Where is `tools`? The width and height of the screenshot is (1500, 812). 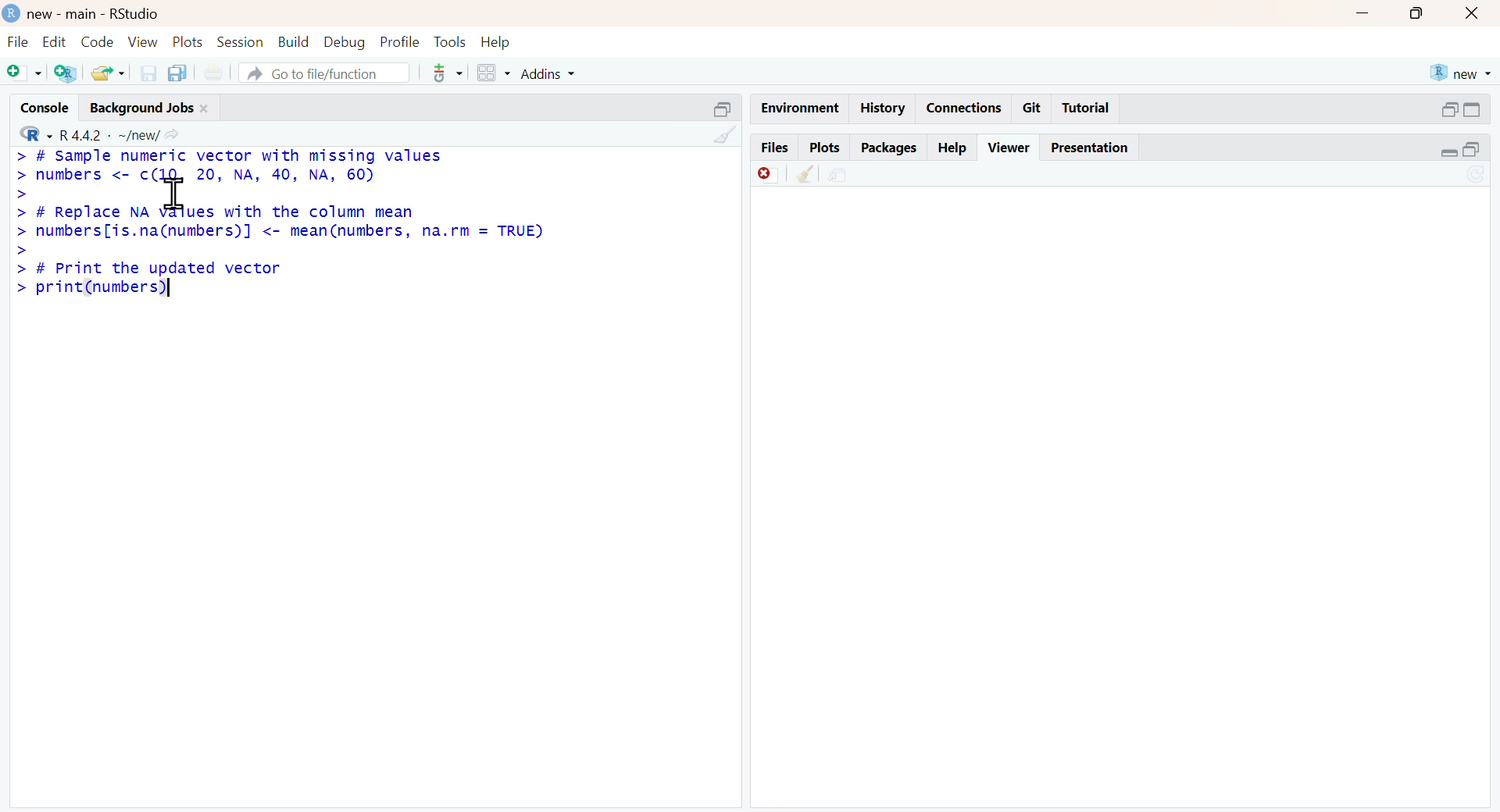 tools is located at coordinates (450, 41).